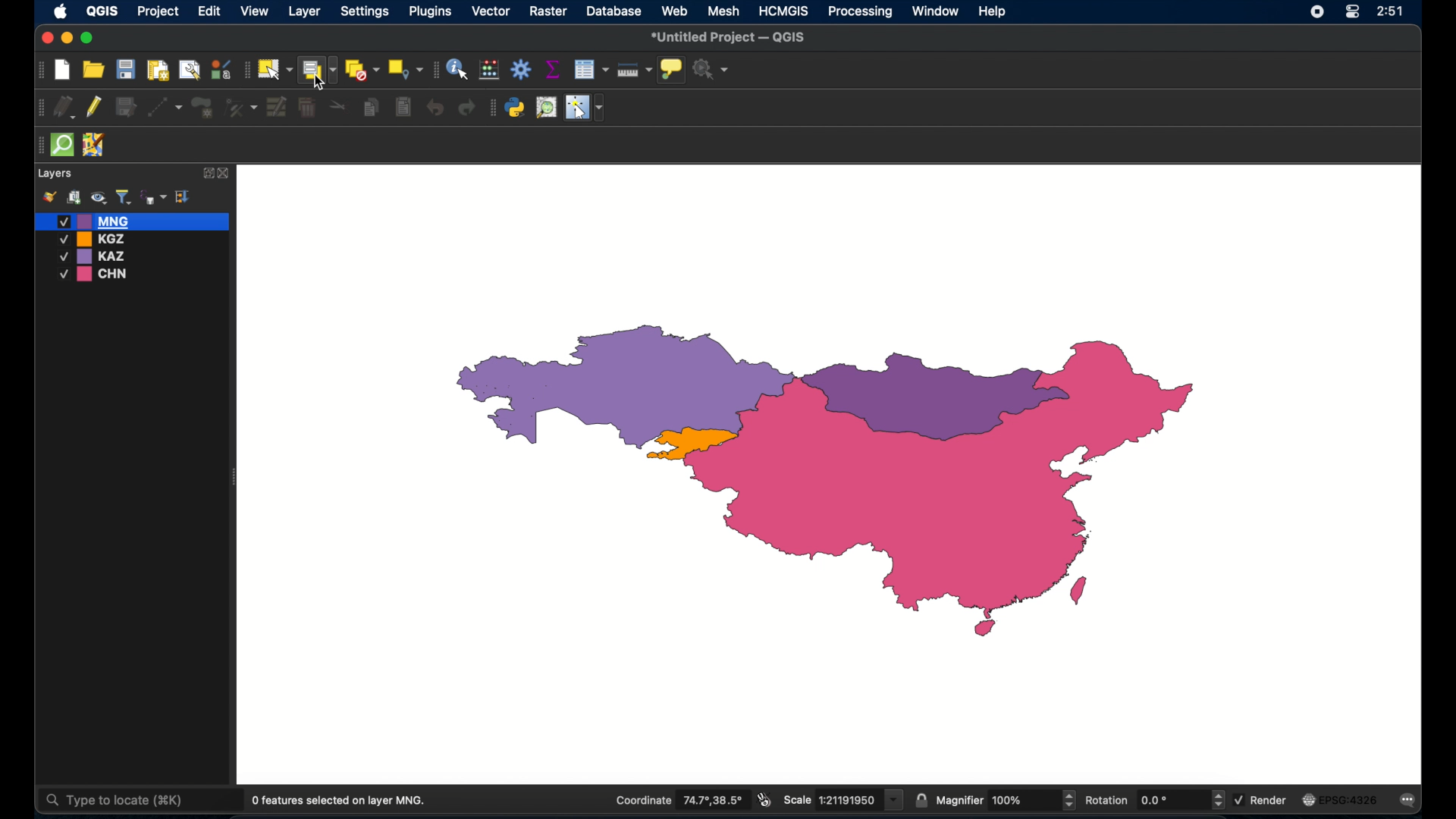 This screenshot has height=819, width=1456. I want to click on add polygon feature, so click(204, 106).